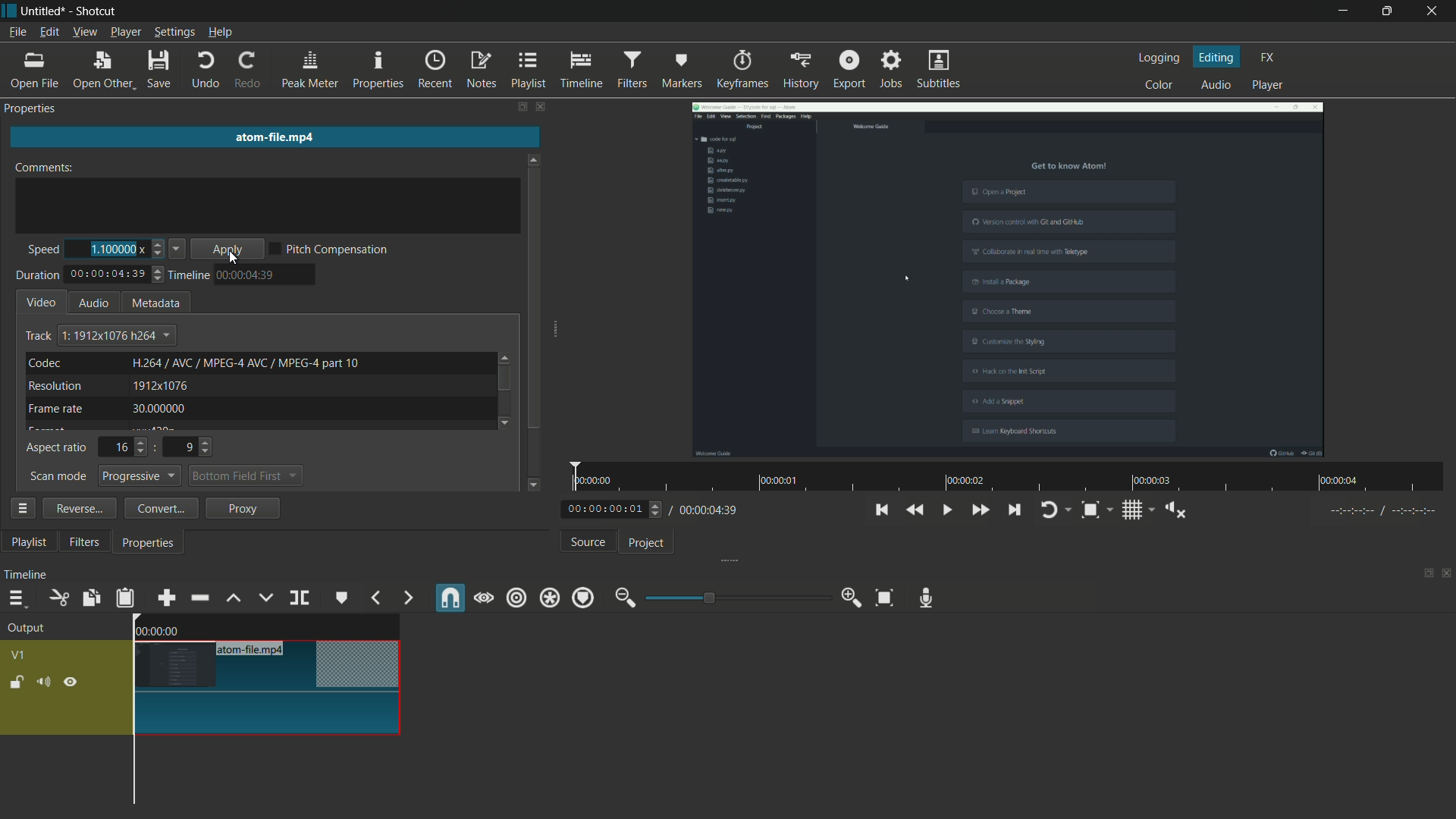 The width and height of the screenshot is (1456, 819). I want to click on 16, so click(127, 447).